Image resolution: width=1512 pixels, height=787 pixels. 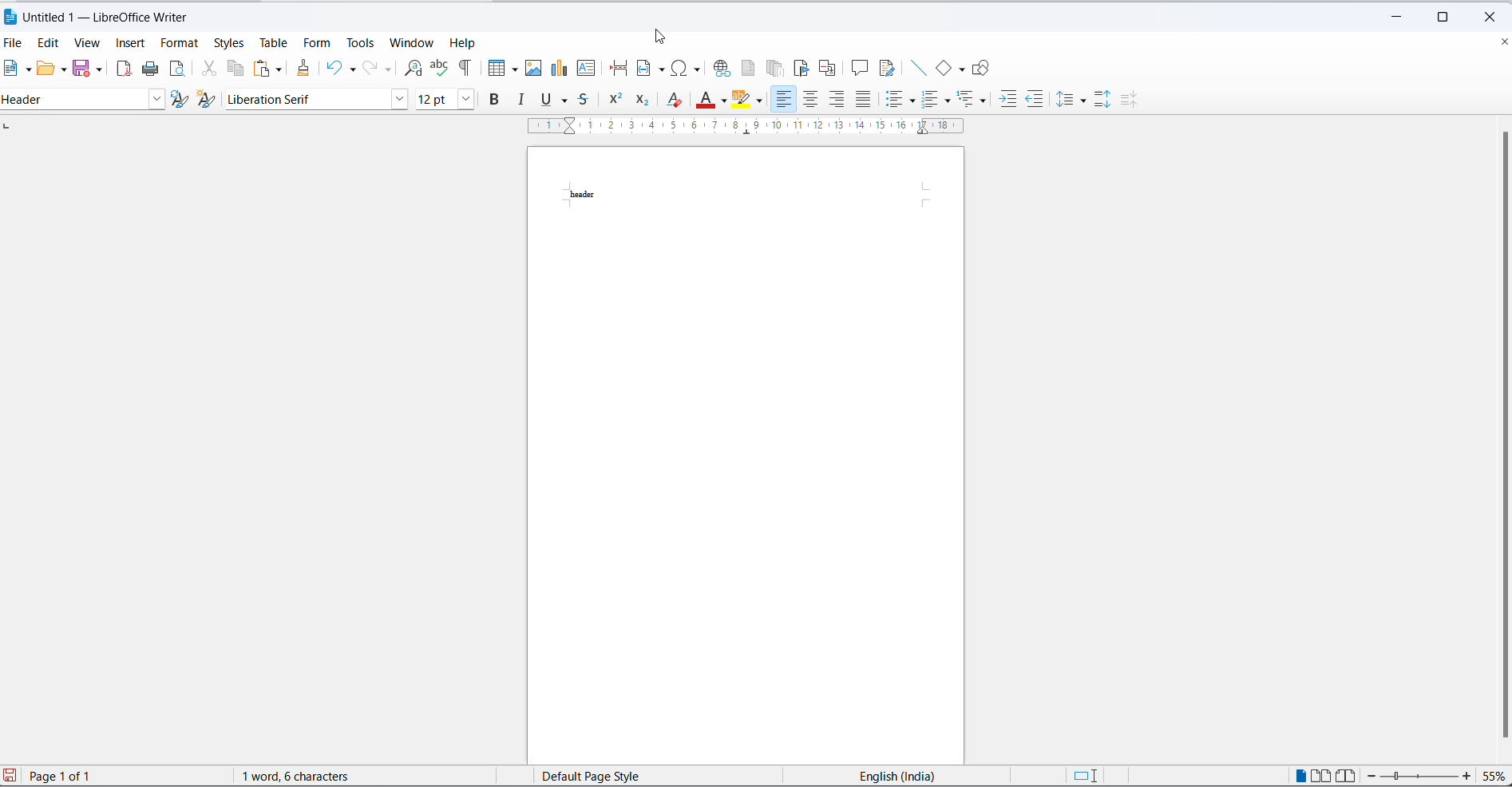 I want to click on open, so click(x=45, y=69).